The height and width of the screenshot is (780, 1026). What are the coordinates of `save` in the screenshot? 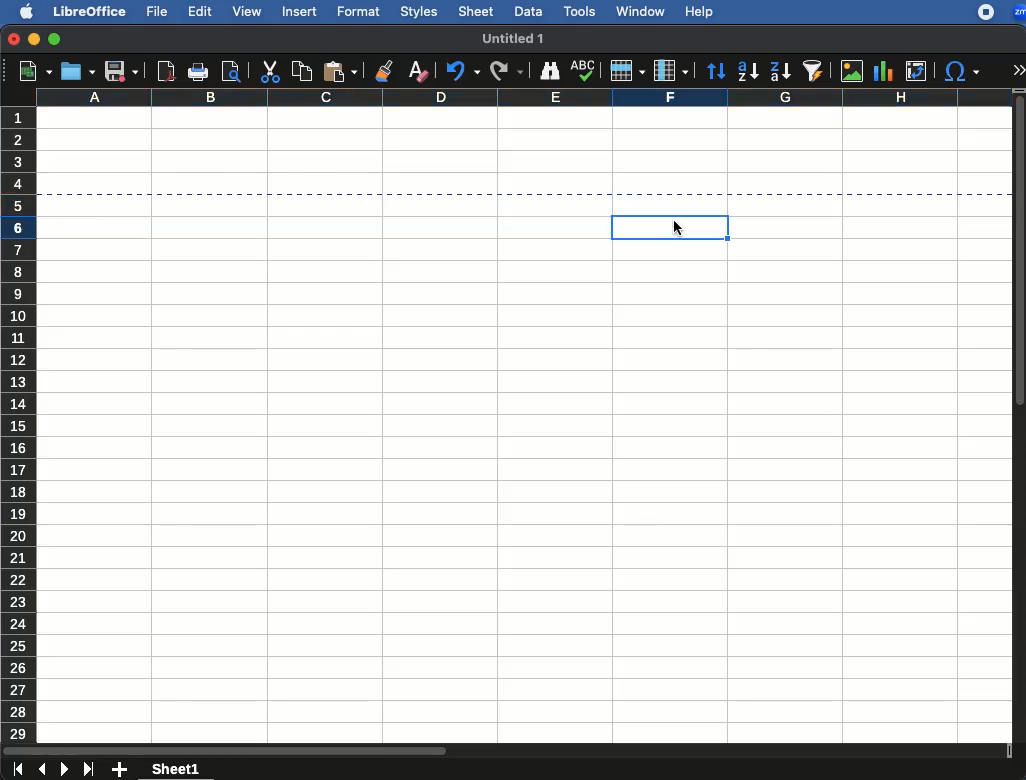 It's located at (122, 72).